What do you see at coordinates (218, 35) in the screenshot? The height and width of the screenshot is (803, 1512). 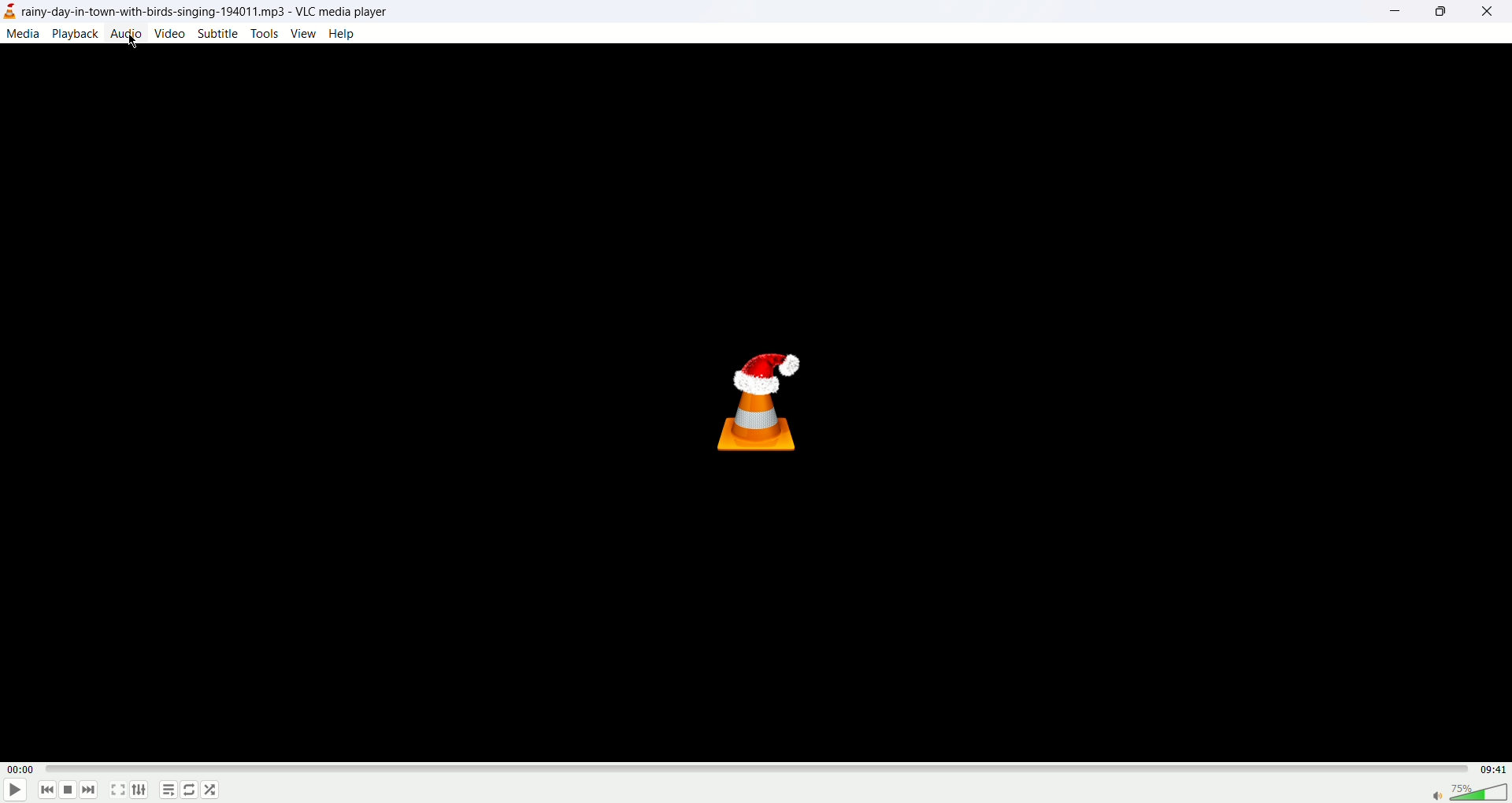 I see `subtitle` at bounding box center [218, 35].